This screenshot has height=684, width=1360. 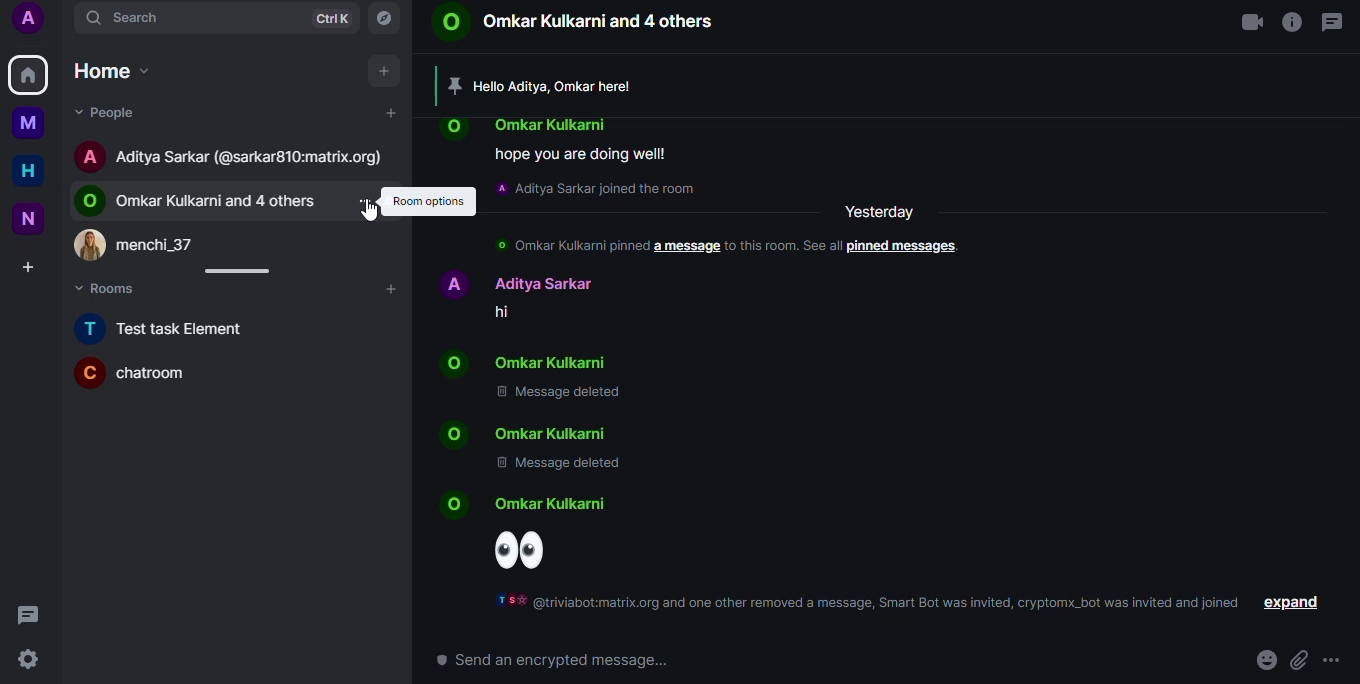 I want to click on O  Omkar Kulkarni, so click(x=556, y=363).